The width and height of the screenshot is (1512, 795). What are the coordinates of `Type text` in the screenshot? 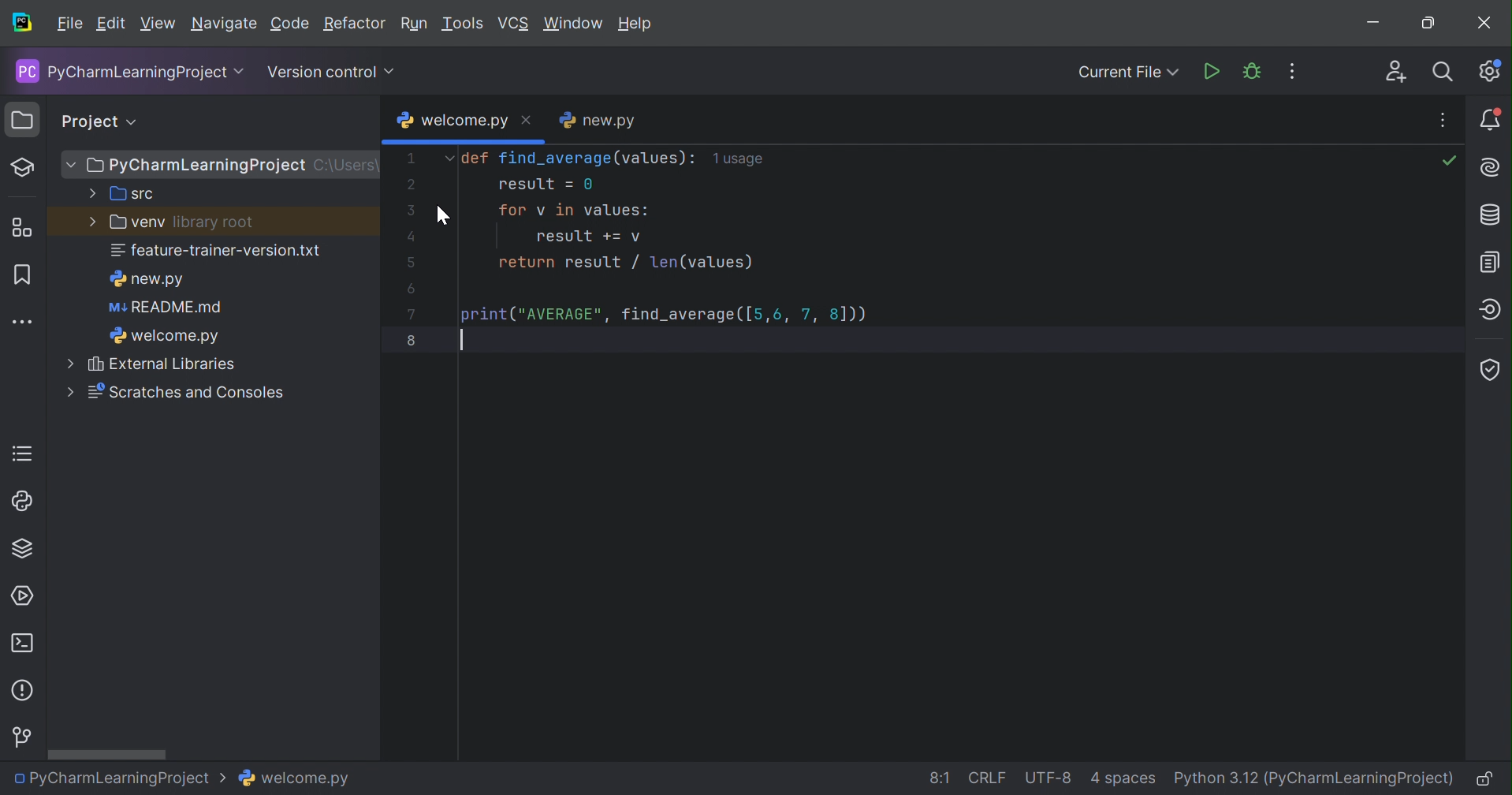 It's located at (468, 340).